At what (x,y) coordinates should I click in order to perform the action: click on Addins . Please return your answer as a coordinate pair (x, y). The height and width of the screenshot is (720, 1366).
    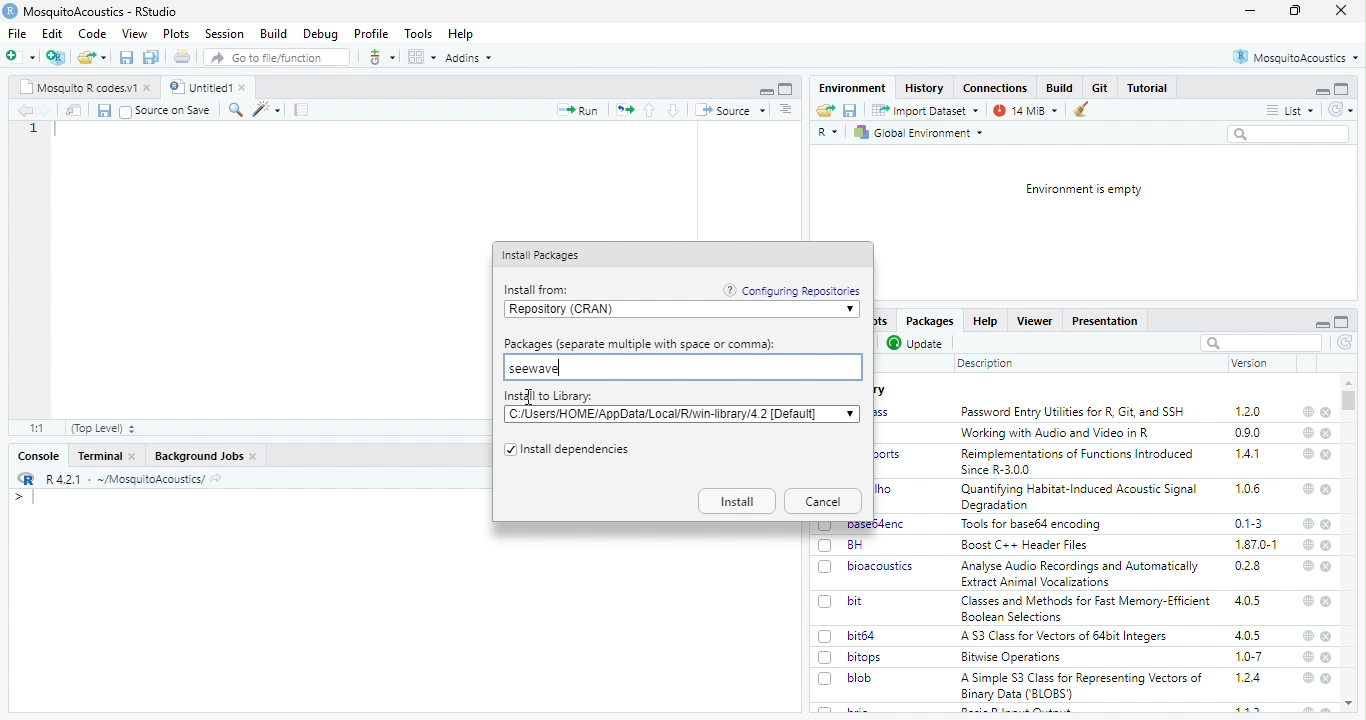
    Looking at the image, I should click on (468, 58).